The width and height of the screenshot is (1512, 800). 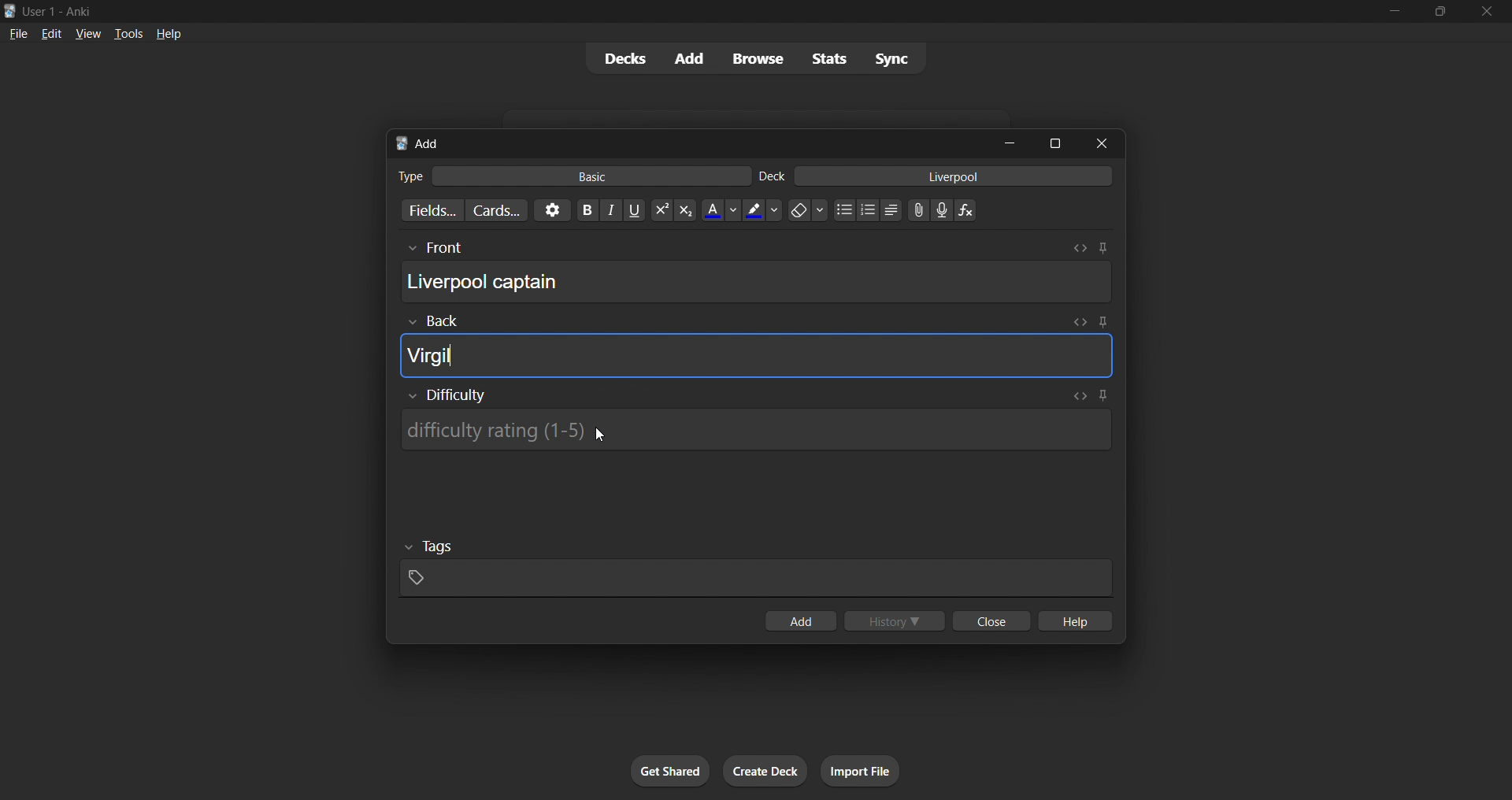 What do you see at coordinates (891, 57) in the screenshot?
I see `sync` at bounding box center [891, 57].